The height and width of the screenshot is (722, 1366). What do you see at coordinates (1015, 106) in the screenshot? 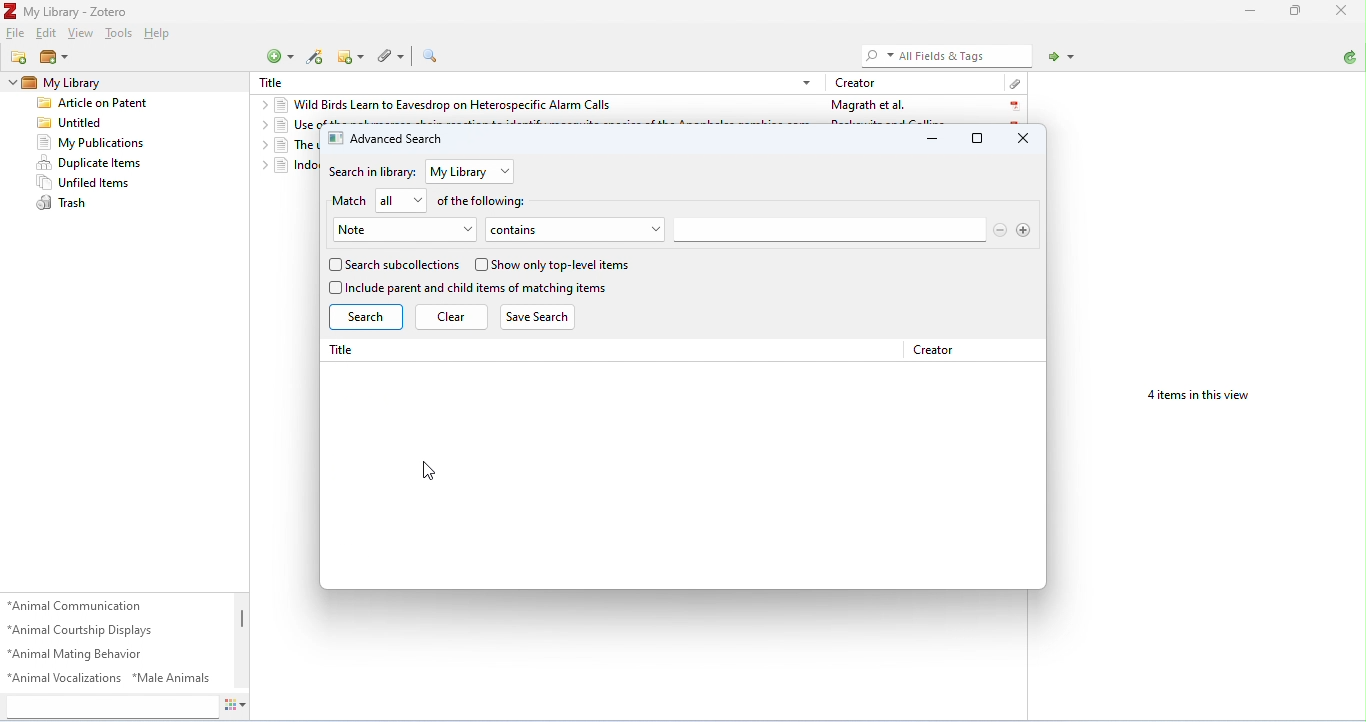
I see `pdf icon` at bounding box center [1015, 106].